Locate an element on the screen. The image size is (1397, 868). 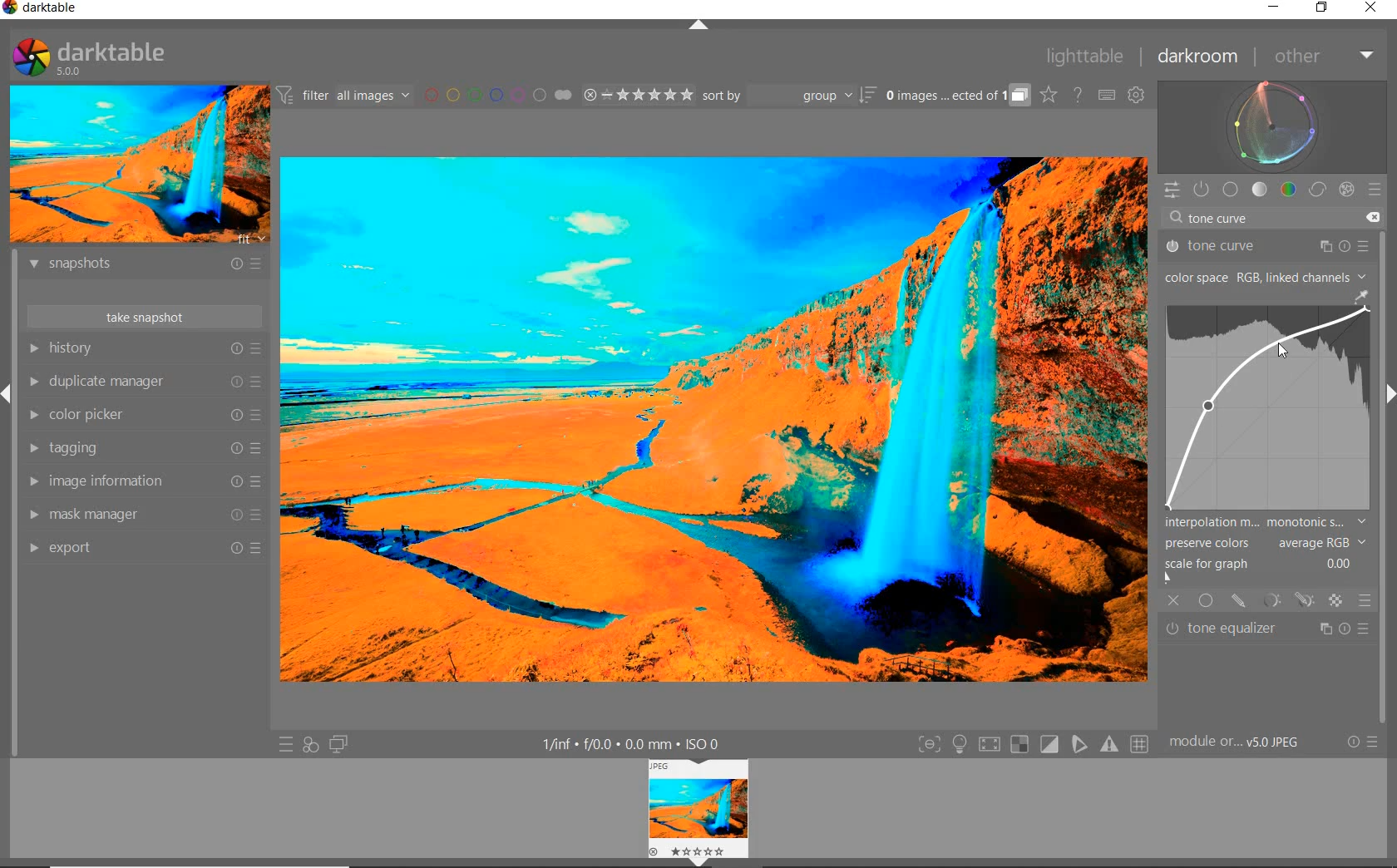
tone equalizer is located at coordinates (1269, 628).